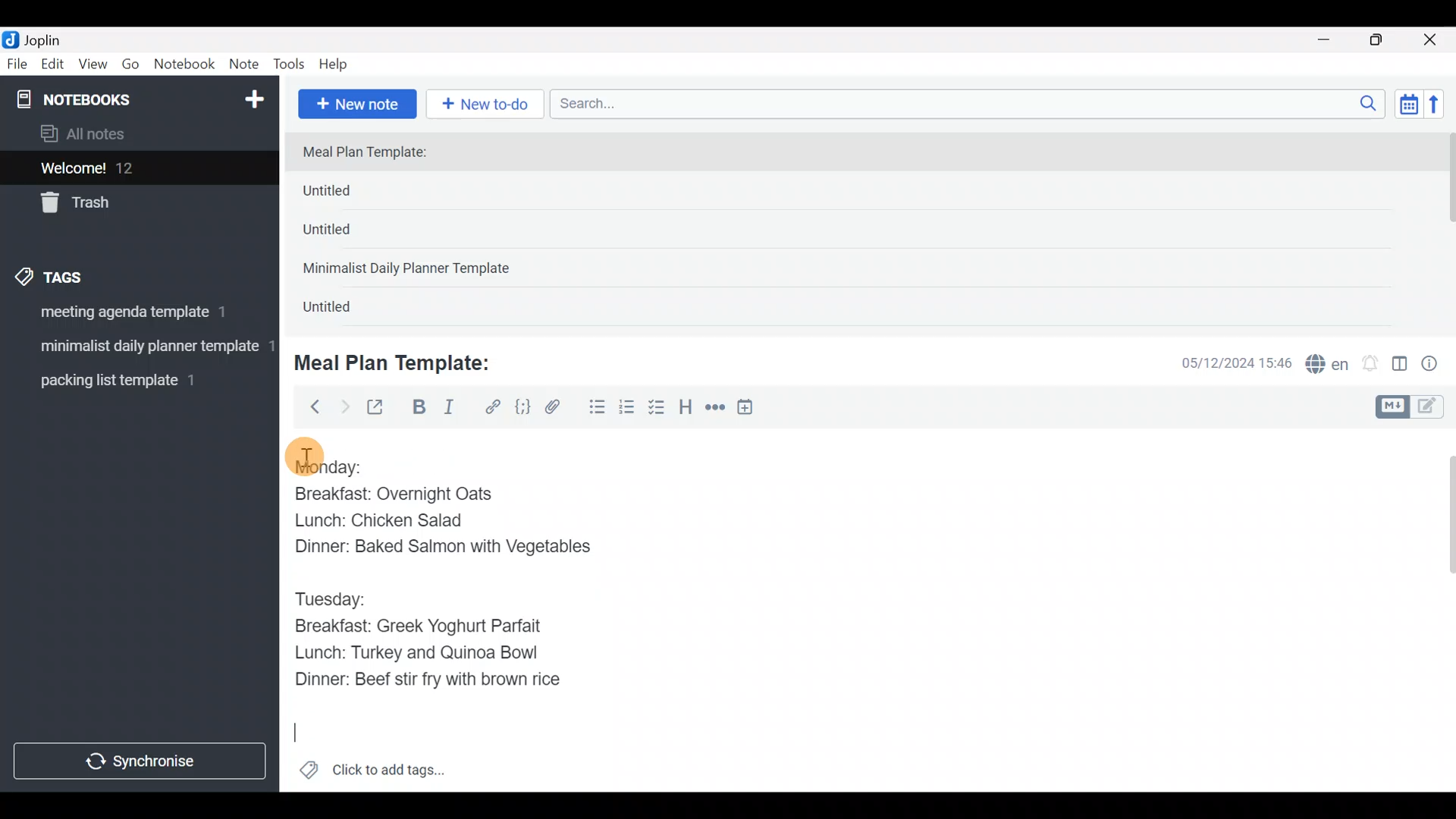  Describe the element at coordinates (303, 456) in the screenshot. I see `cursor` at that location.